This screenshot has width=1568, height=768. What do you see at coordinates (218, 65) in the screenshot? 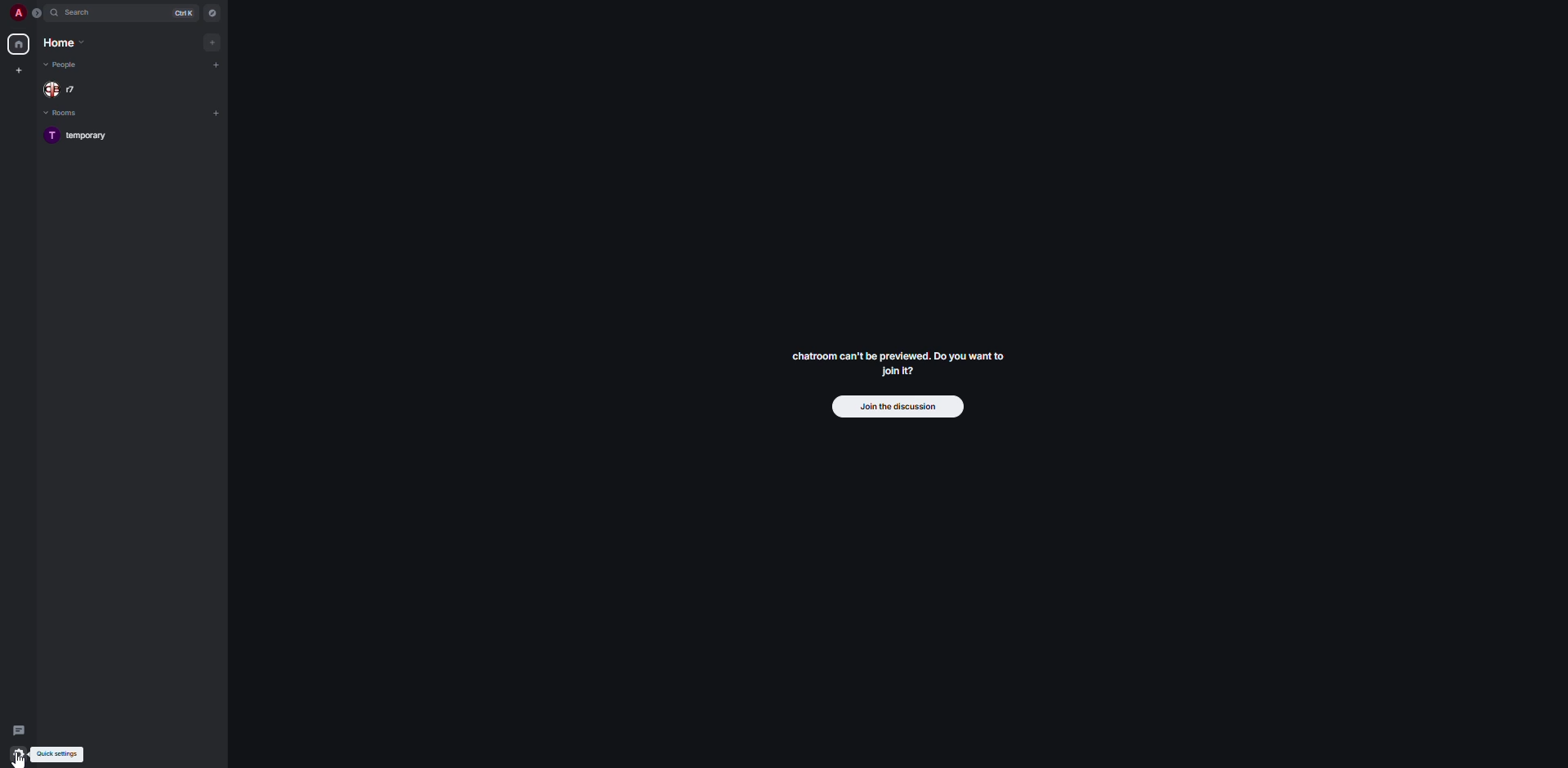
I see `add` at bounding box center [218, 65].